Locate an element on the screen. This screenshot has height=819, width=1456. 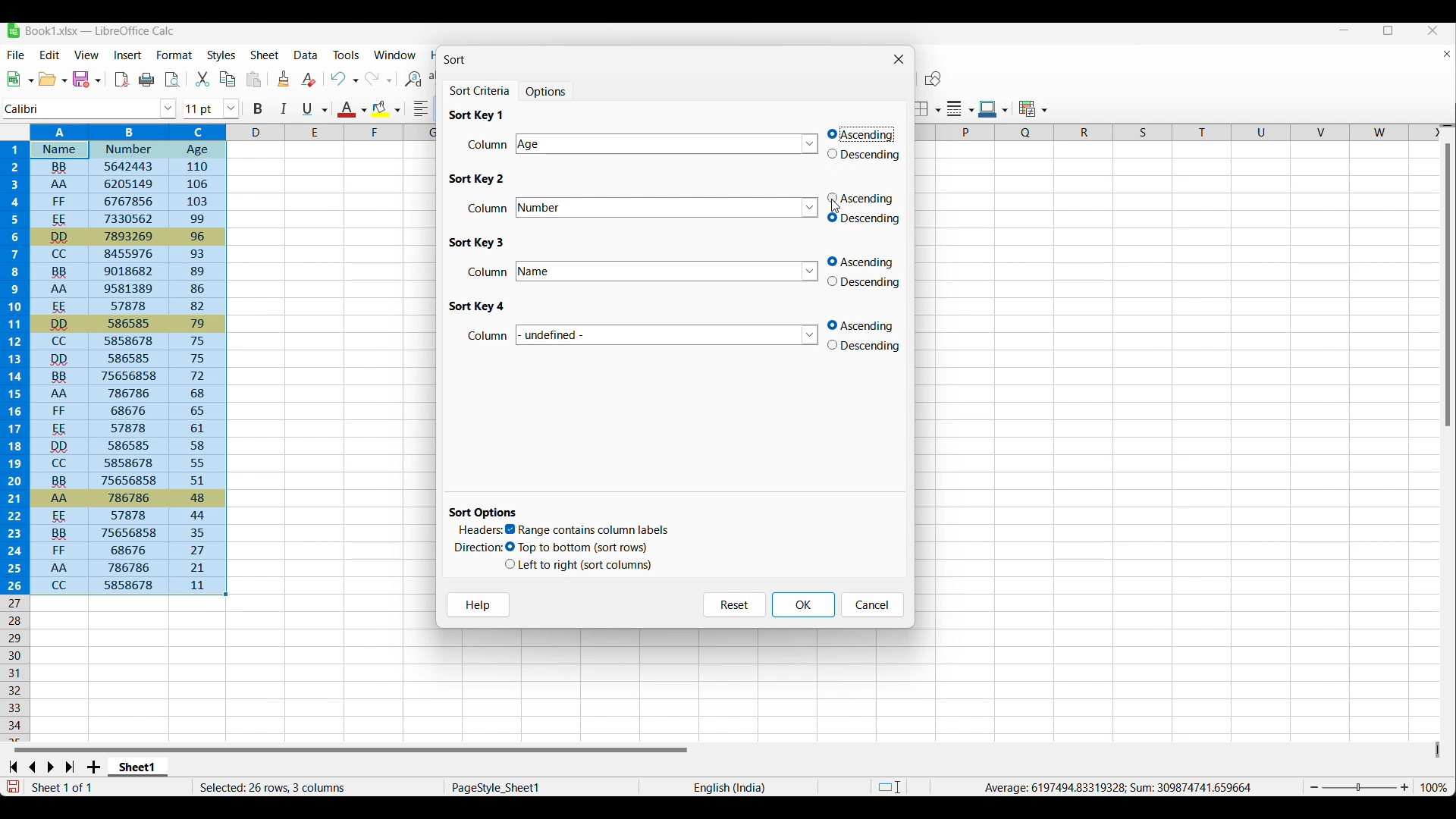
Sort 4 is located at coordinates (476, 306).